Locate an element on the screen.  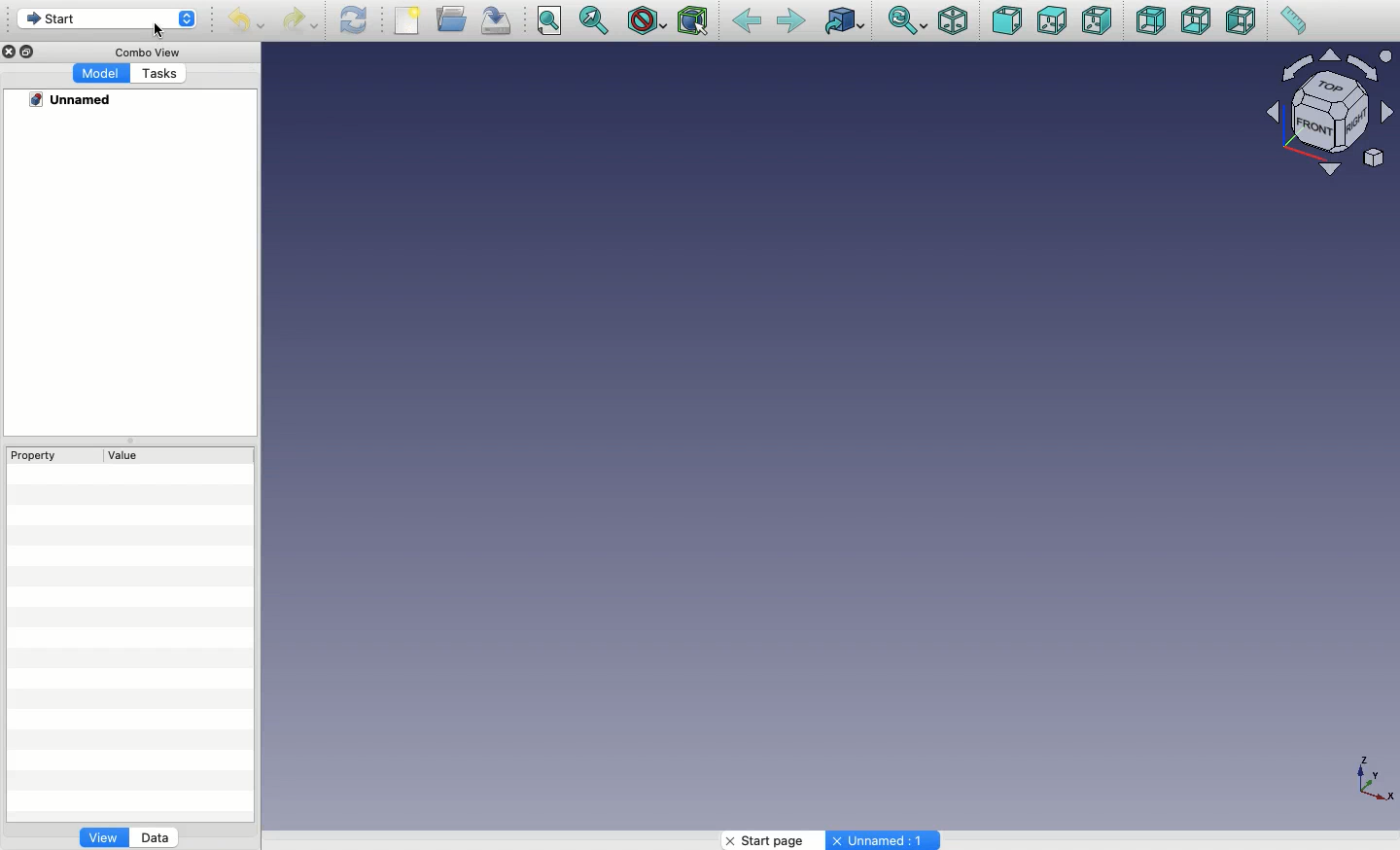
Top is located at coordinates (1050, 22).